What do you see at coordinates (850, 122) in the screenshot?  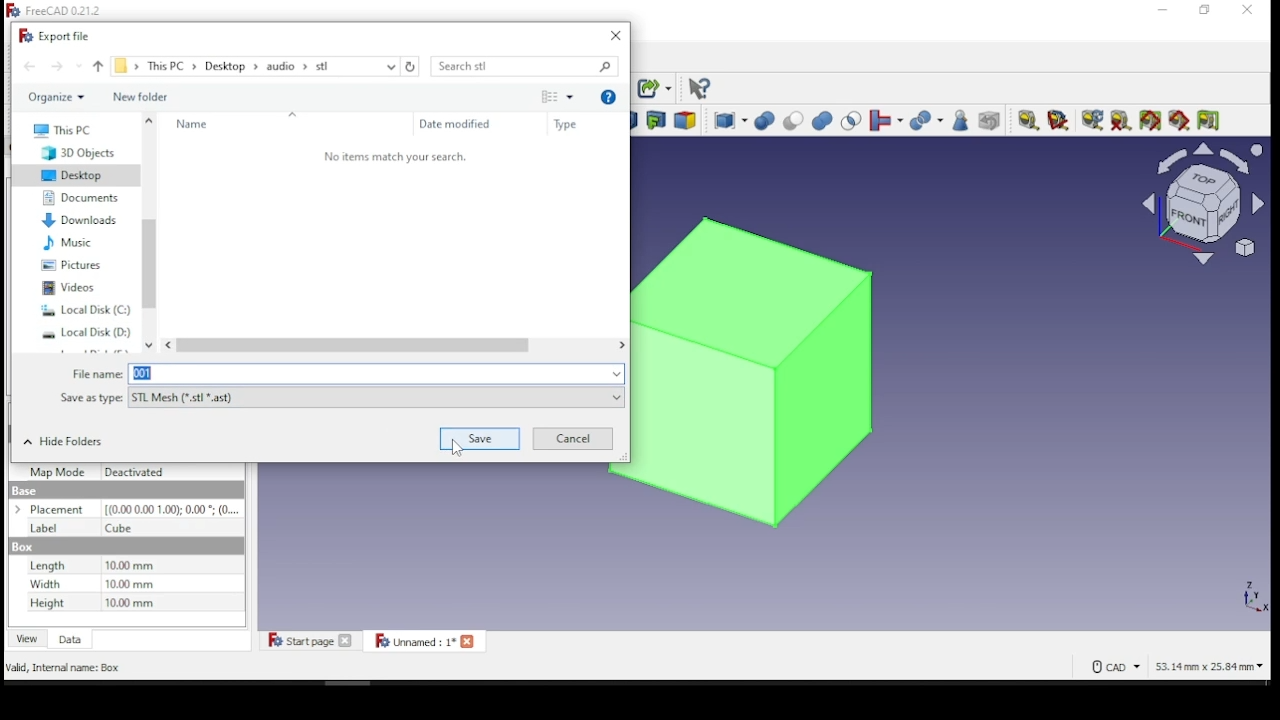 I see `intersection` at bounding box center [850, 122].